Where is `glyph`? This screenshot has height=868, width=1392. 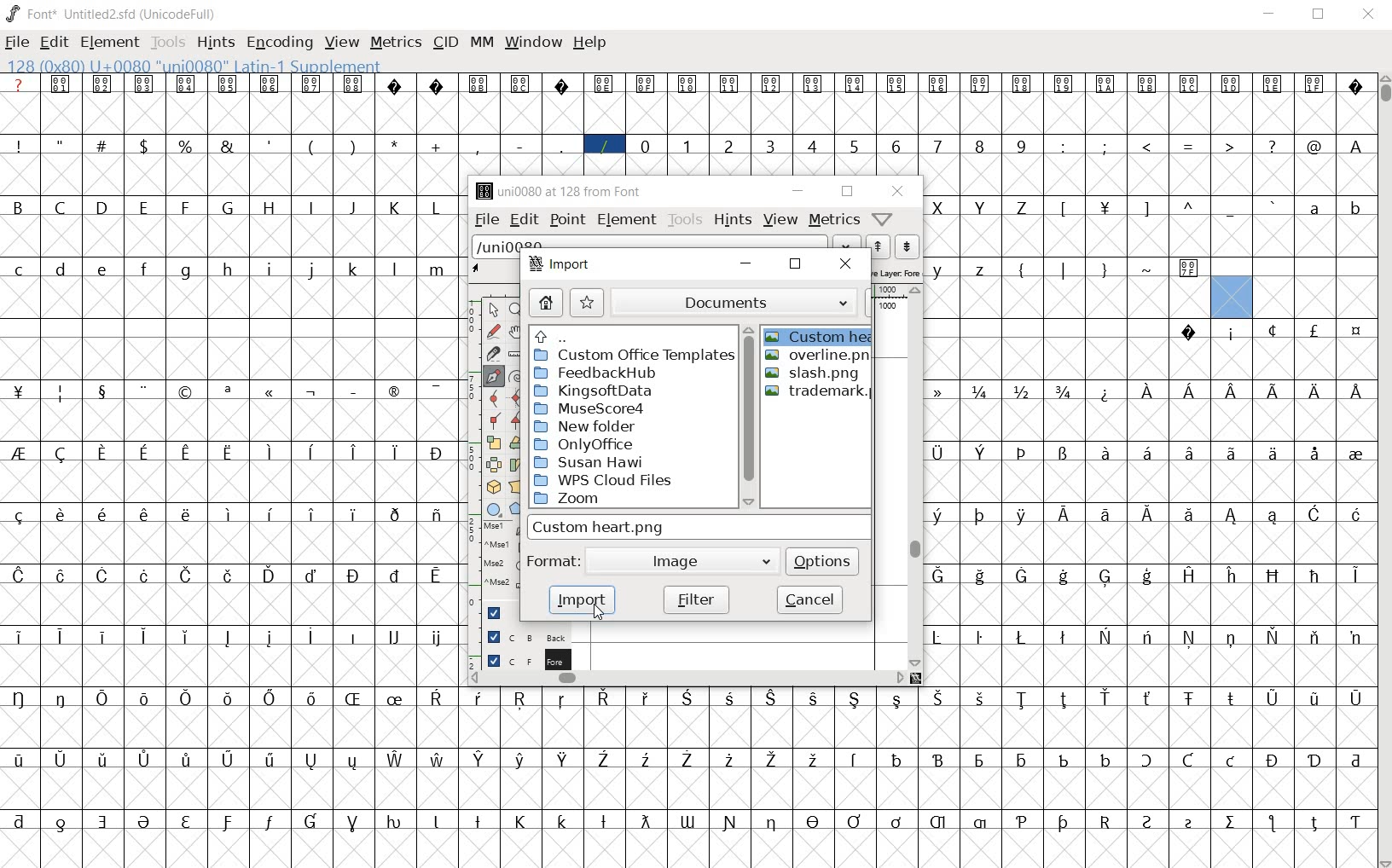 glyph is located at coordinates (645, 146).